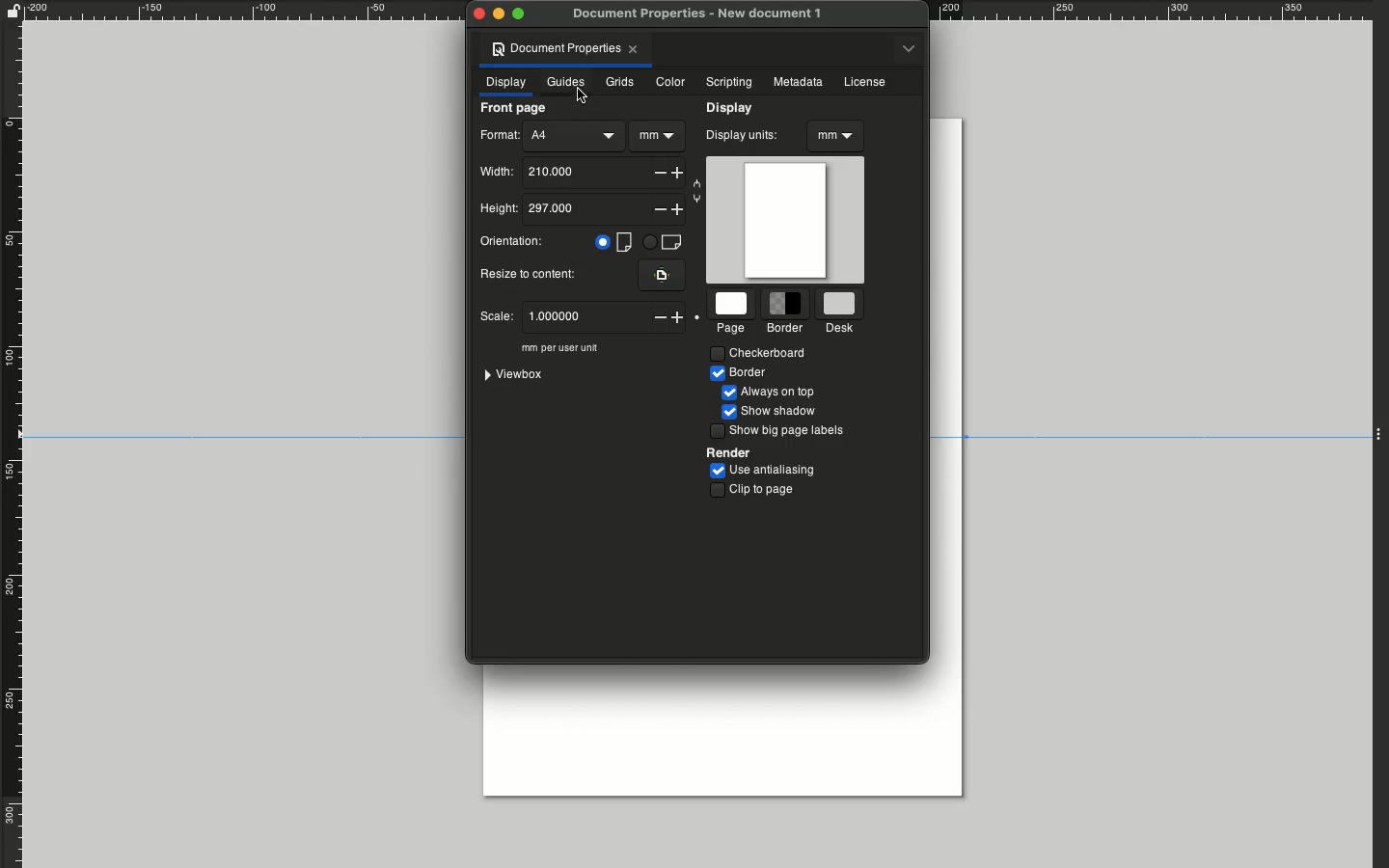 This screenshot has width=1389, height=868. Describe the element at coordinates (519, 14) in the screenshot. I see `Maximize` at that location.